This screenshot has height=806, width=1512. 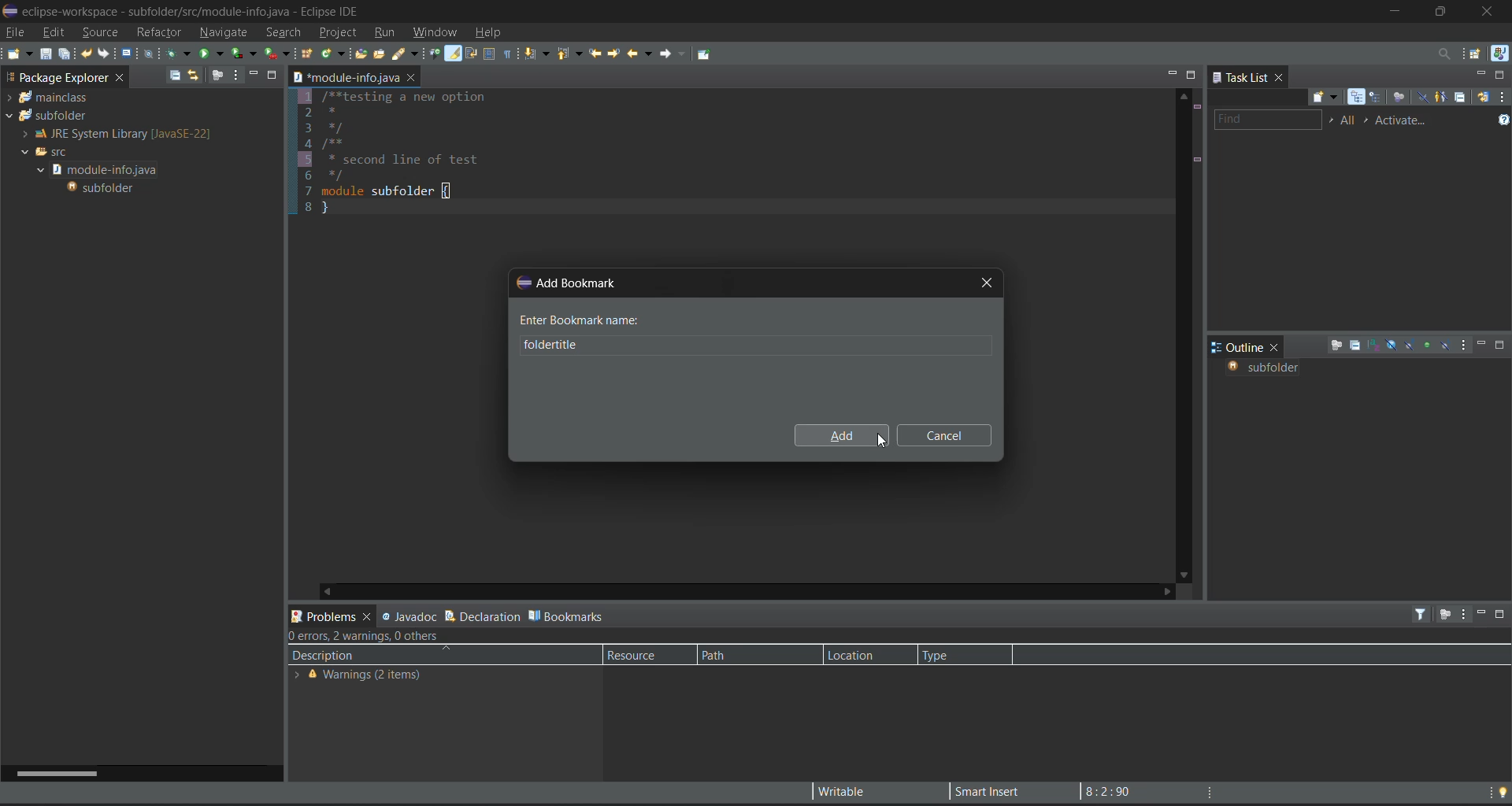 What do you see at coordinates (1238, 347) in the screenshot?
I see `outline` at bounding box center [1238, 347].